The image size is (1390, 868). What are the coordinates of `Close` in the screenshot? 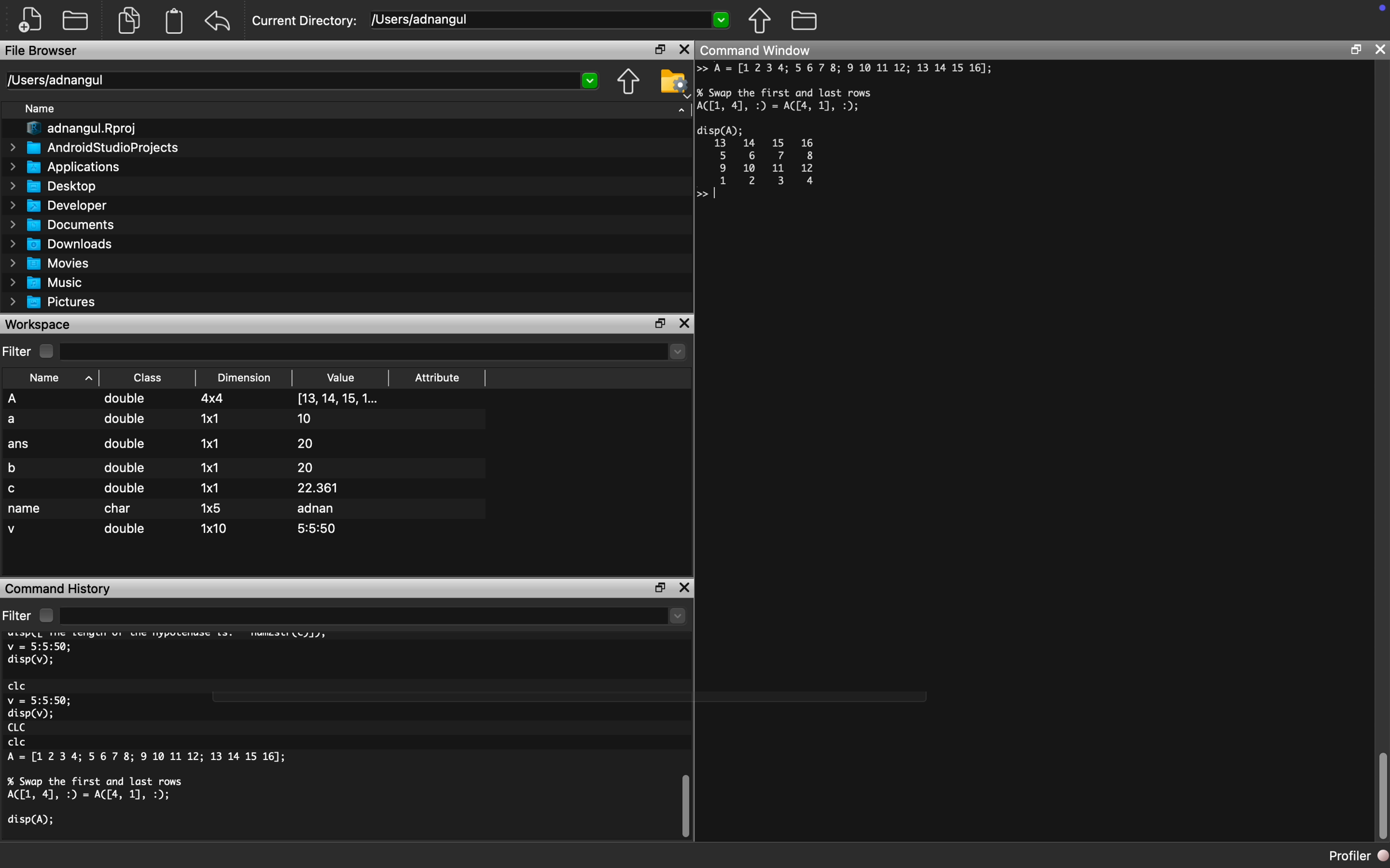 It's located at (685, 50).